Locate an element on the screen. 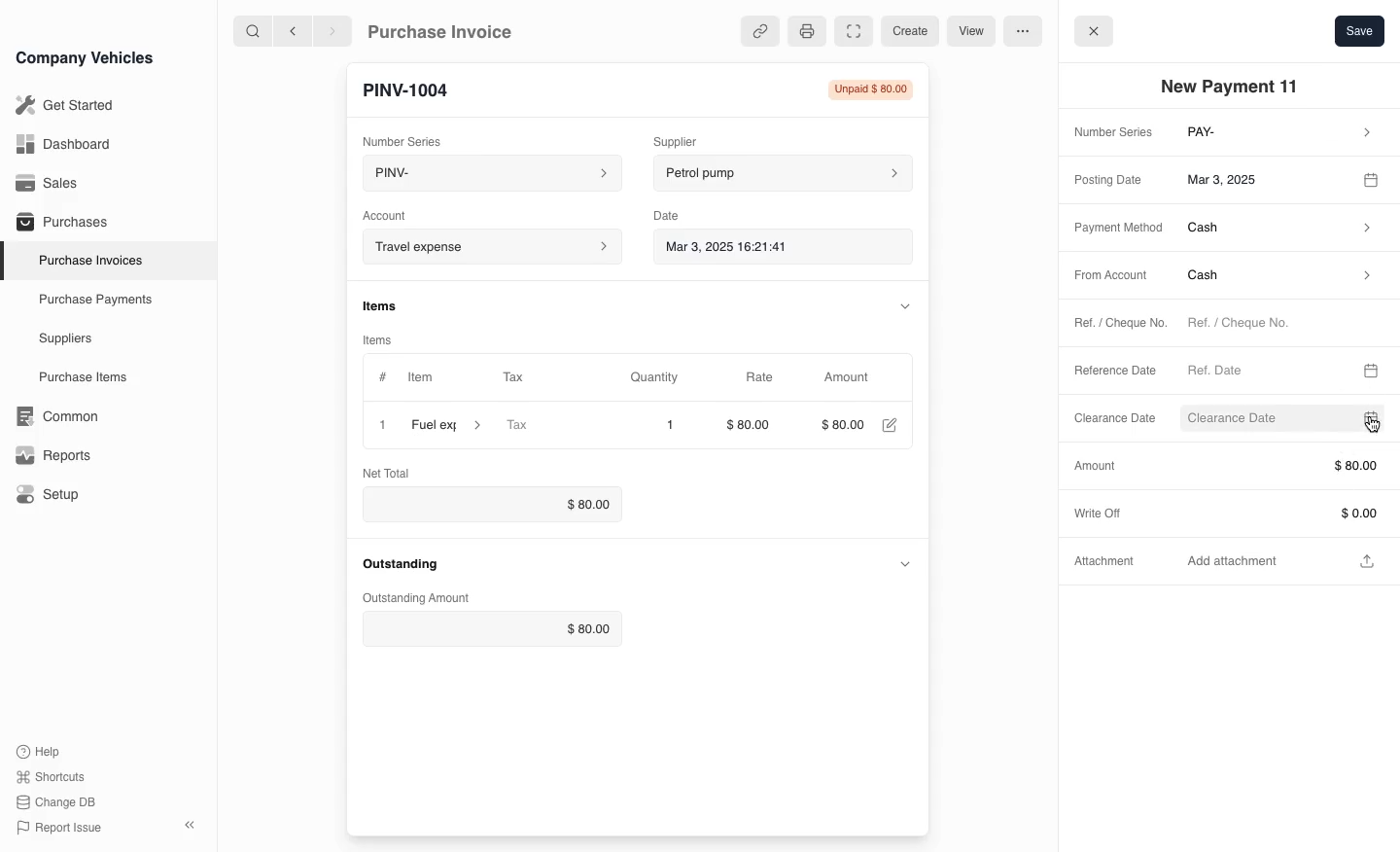 The image size is (1400, 852). $ 80.00 is located at coordinates (1279, 466).